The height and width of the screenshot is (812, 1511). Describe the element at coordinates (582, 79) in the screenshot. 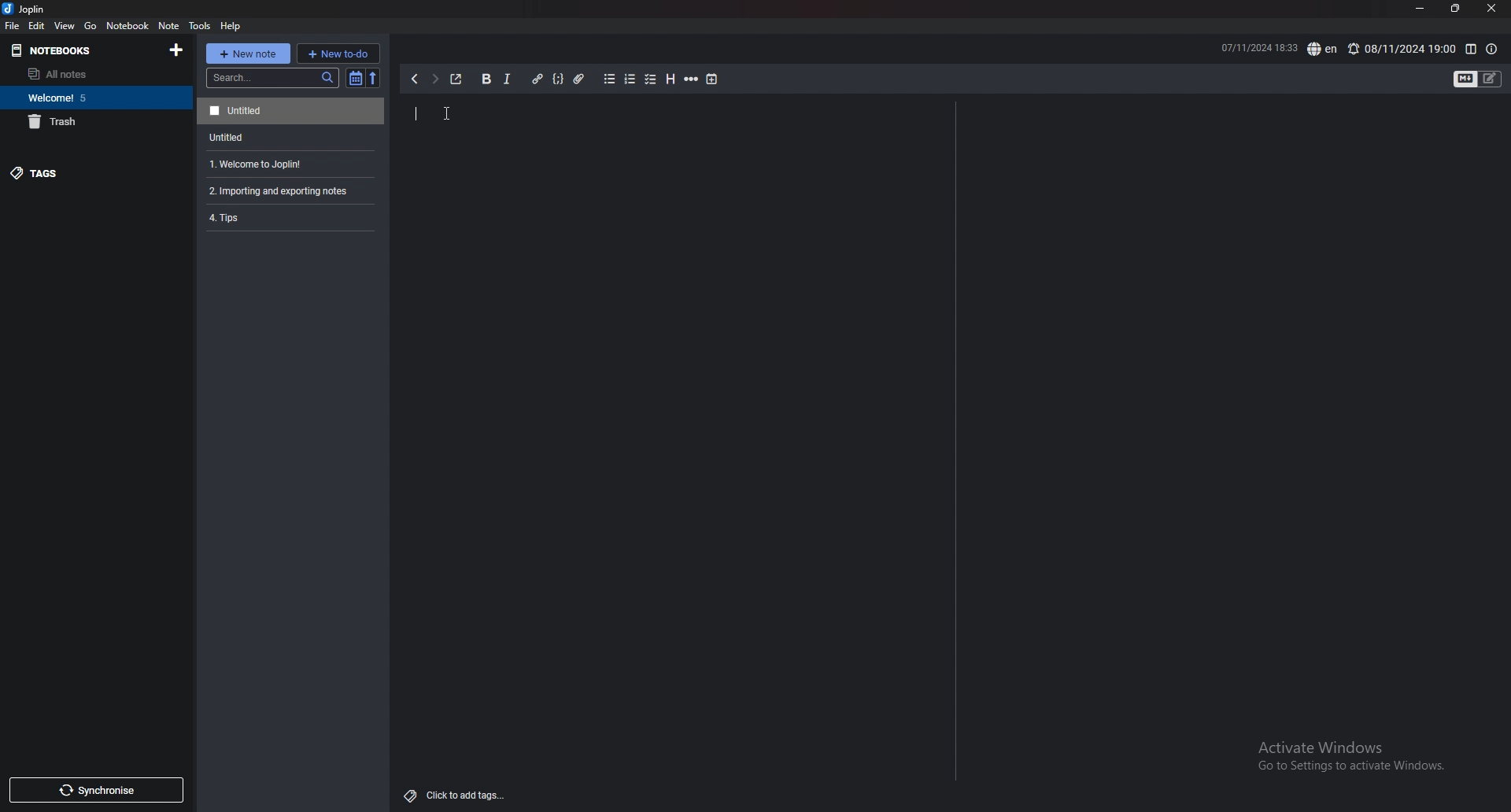

I see `attachment` at that location.